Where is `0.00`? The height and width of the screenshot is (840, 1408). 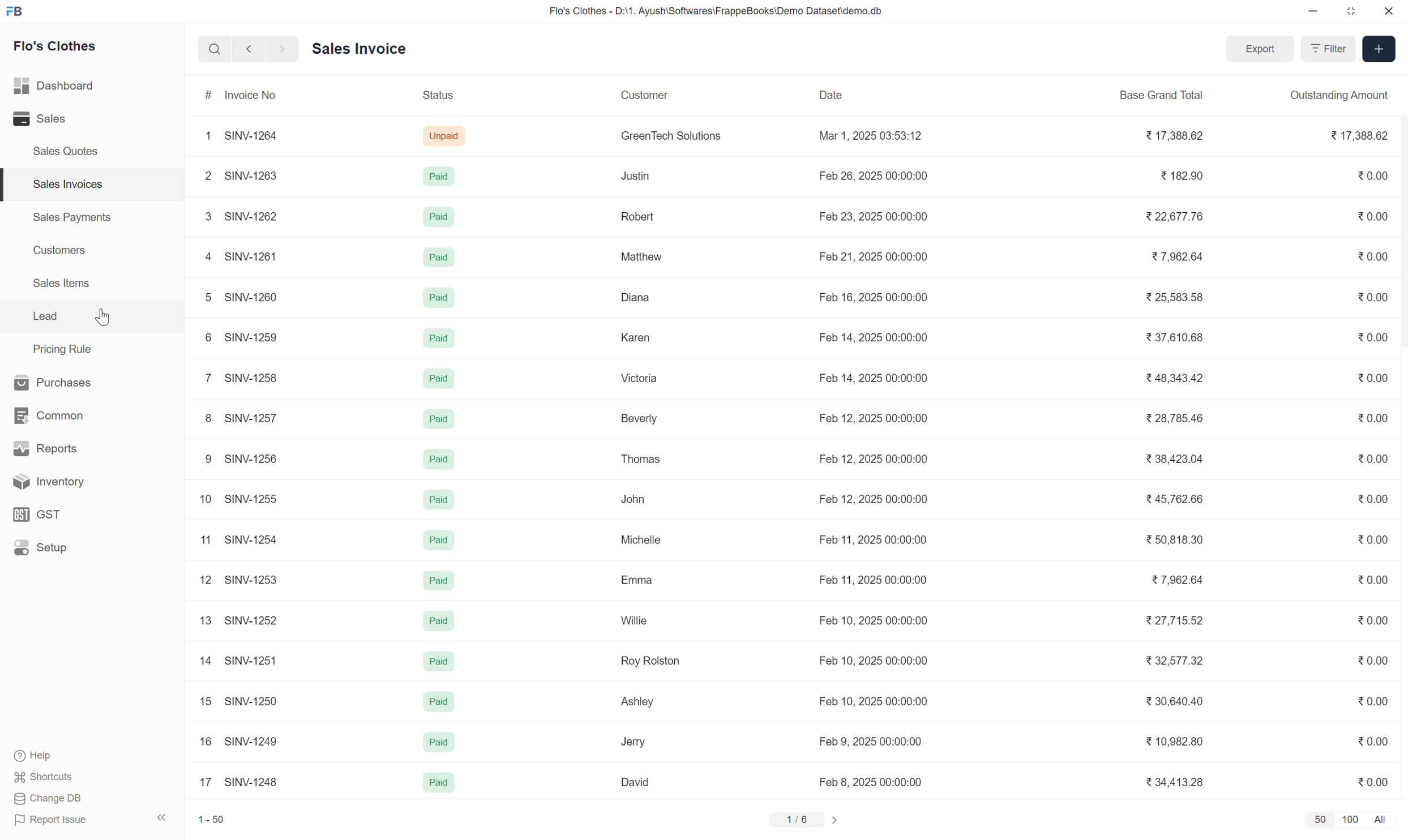
0.00 is located at coordinates (1372, 378).